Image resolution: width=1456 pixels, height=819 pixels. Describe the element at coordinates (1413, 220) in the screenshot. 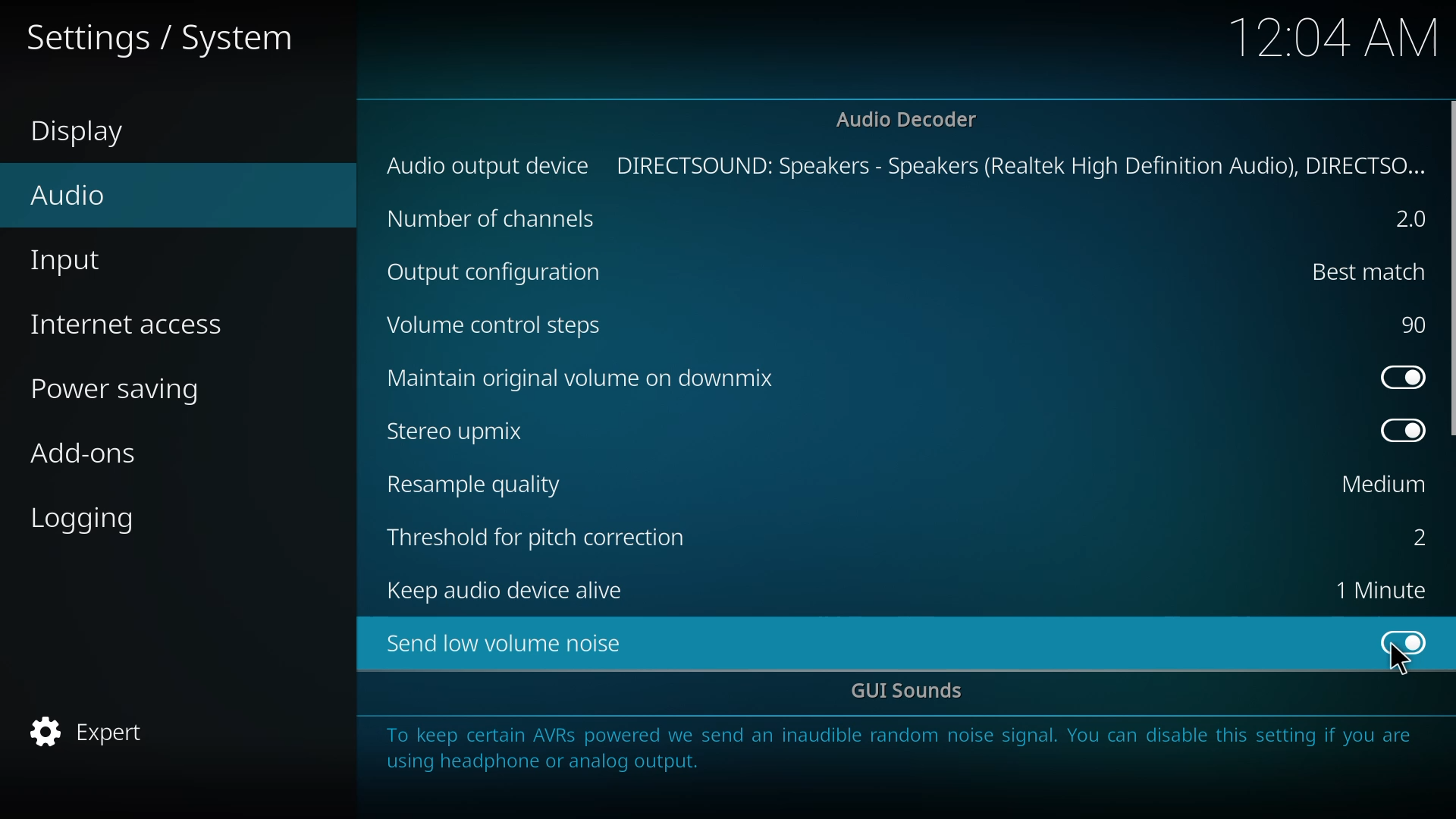

I see `2` at that location.